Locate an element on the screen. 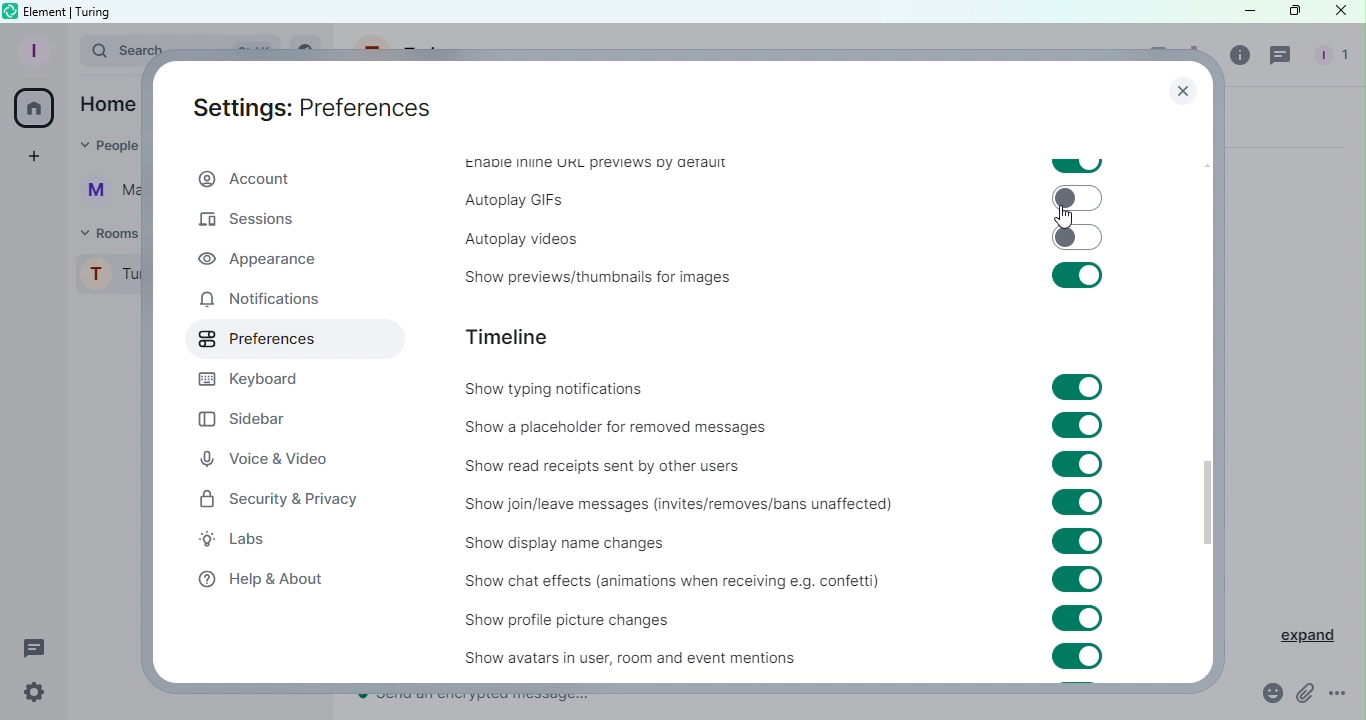 The image size is (1366, 720). Account is located at coordinates (246, 180).